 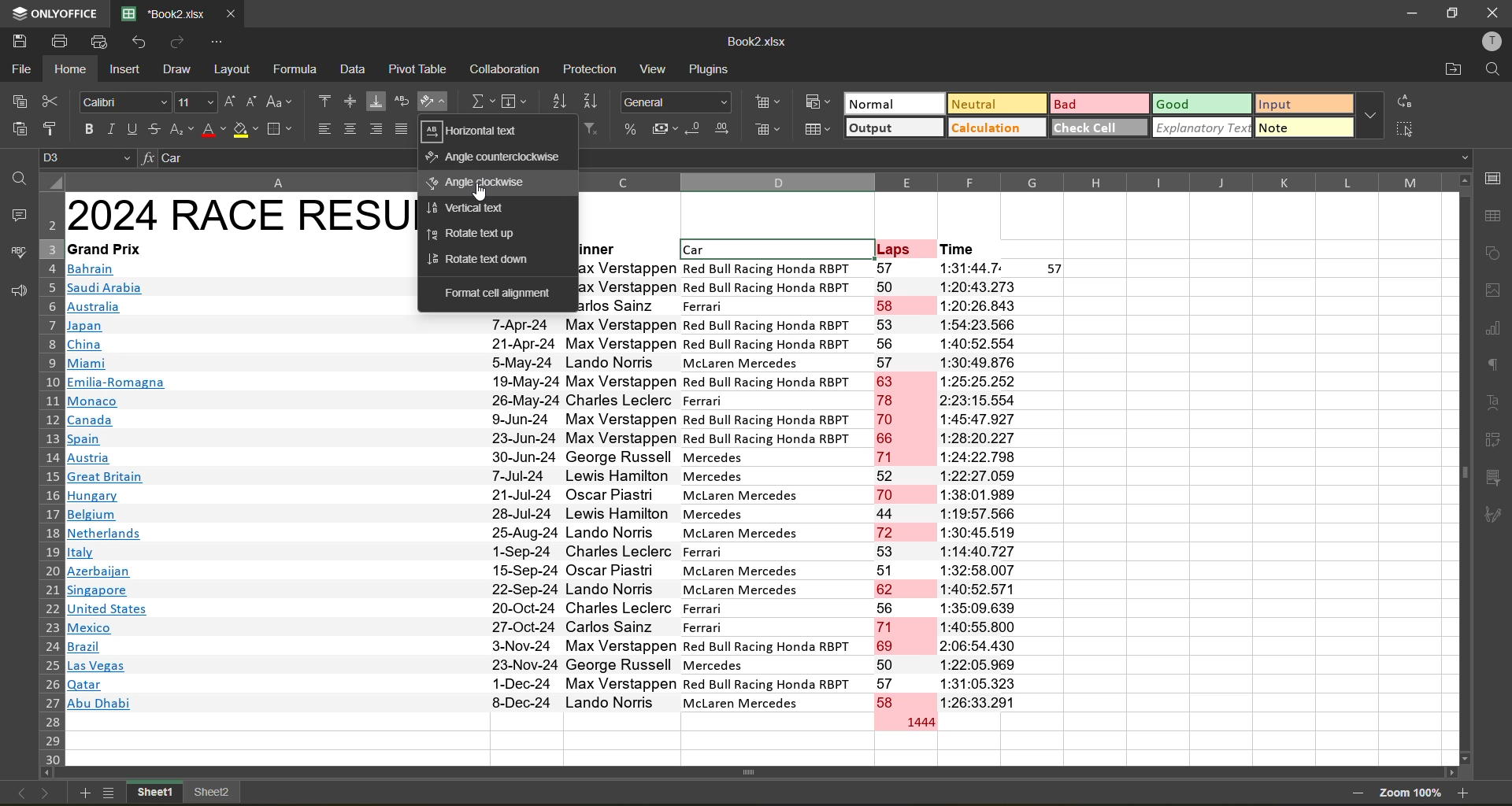 I want to click on borders, so click(x=279, y=129).